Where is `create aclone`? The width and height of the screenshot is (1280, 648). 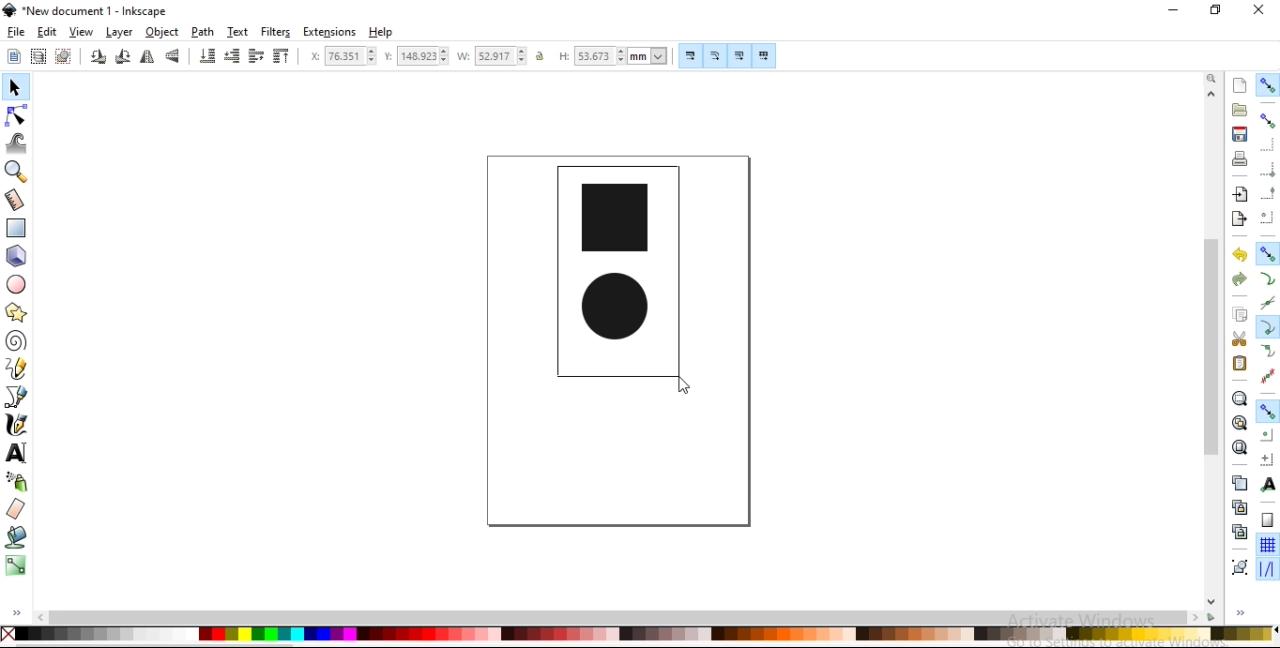
create aclone is located at coordinates (1238, 508).